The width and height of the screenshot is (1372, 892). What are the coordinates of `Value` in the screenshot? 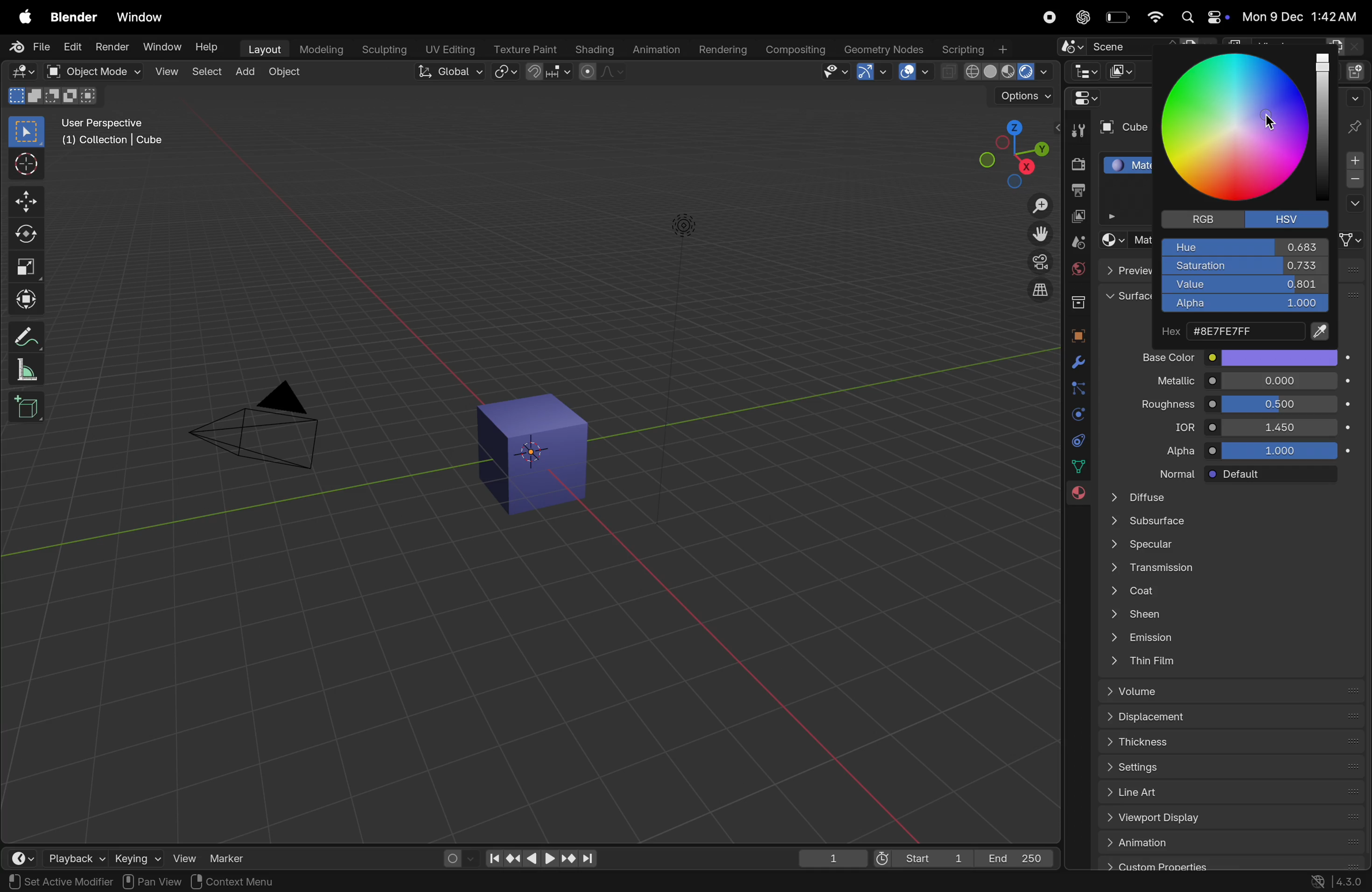 It's located at (1245, 285).